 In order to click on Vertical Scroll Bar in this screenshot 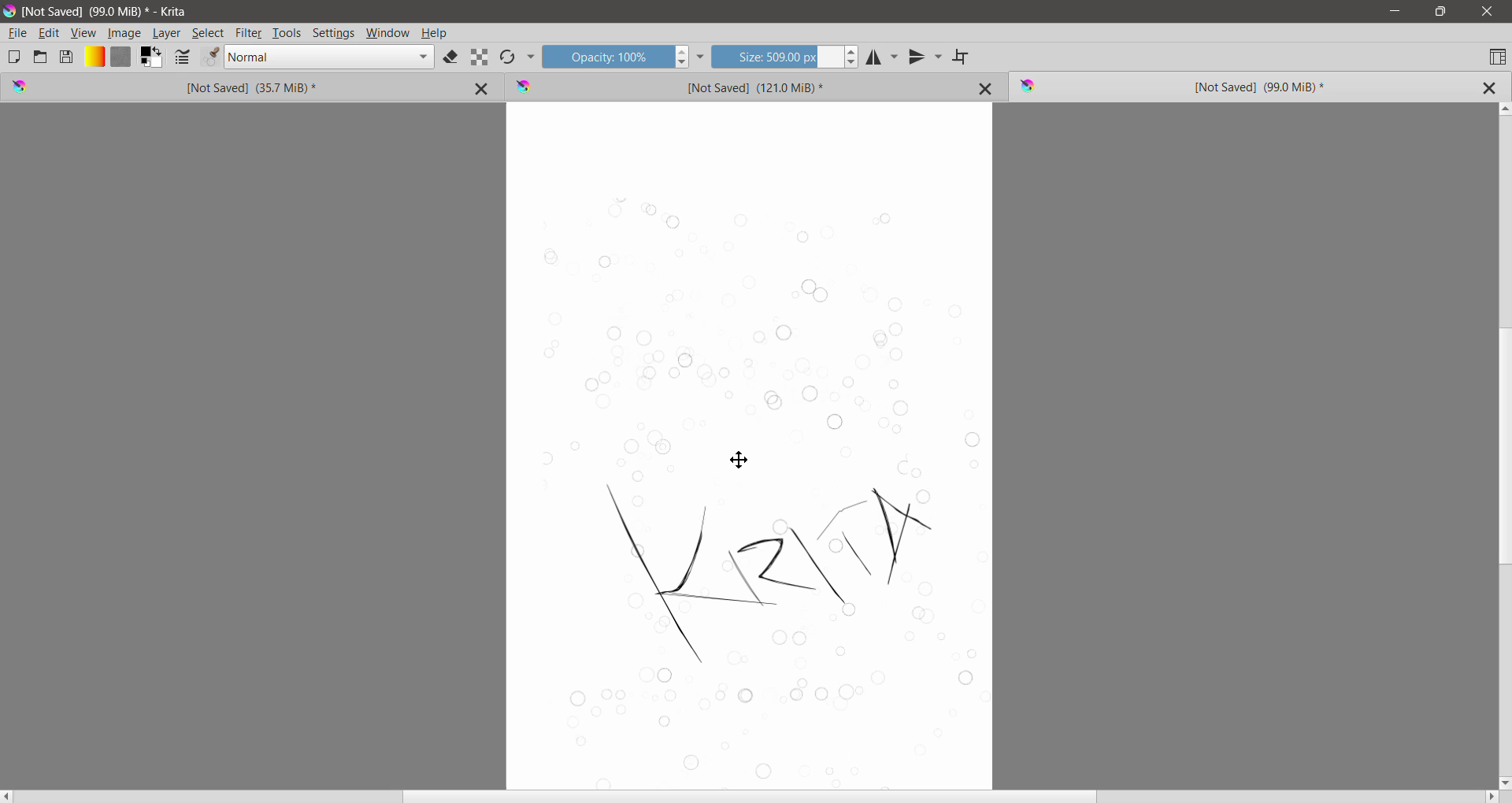, I will do `click(1503, 445)`.